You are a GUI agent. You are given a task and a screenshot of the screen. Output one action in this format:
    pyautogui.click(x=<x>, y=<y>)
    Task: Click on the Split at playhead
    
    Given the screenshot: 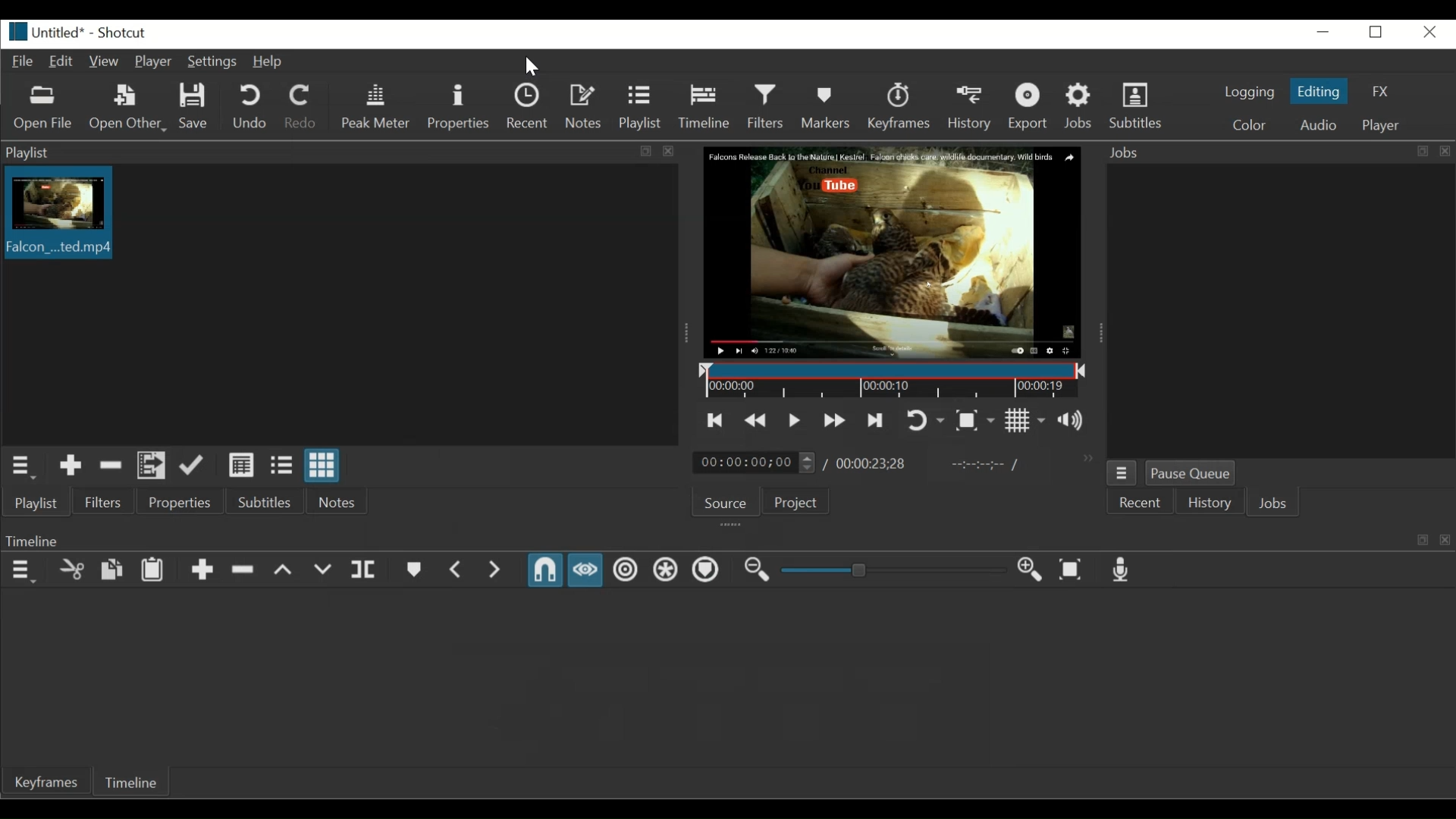 What is the action you would take?
    pyautogui.click(x=362, y=570)
    